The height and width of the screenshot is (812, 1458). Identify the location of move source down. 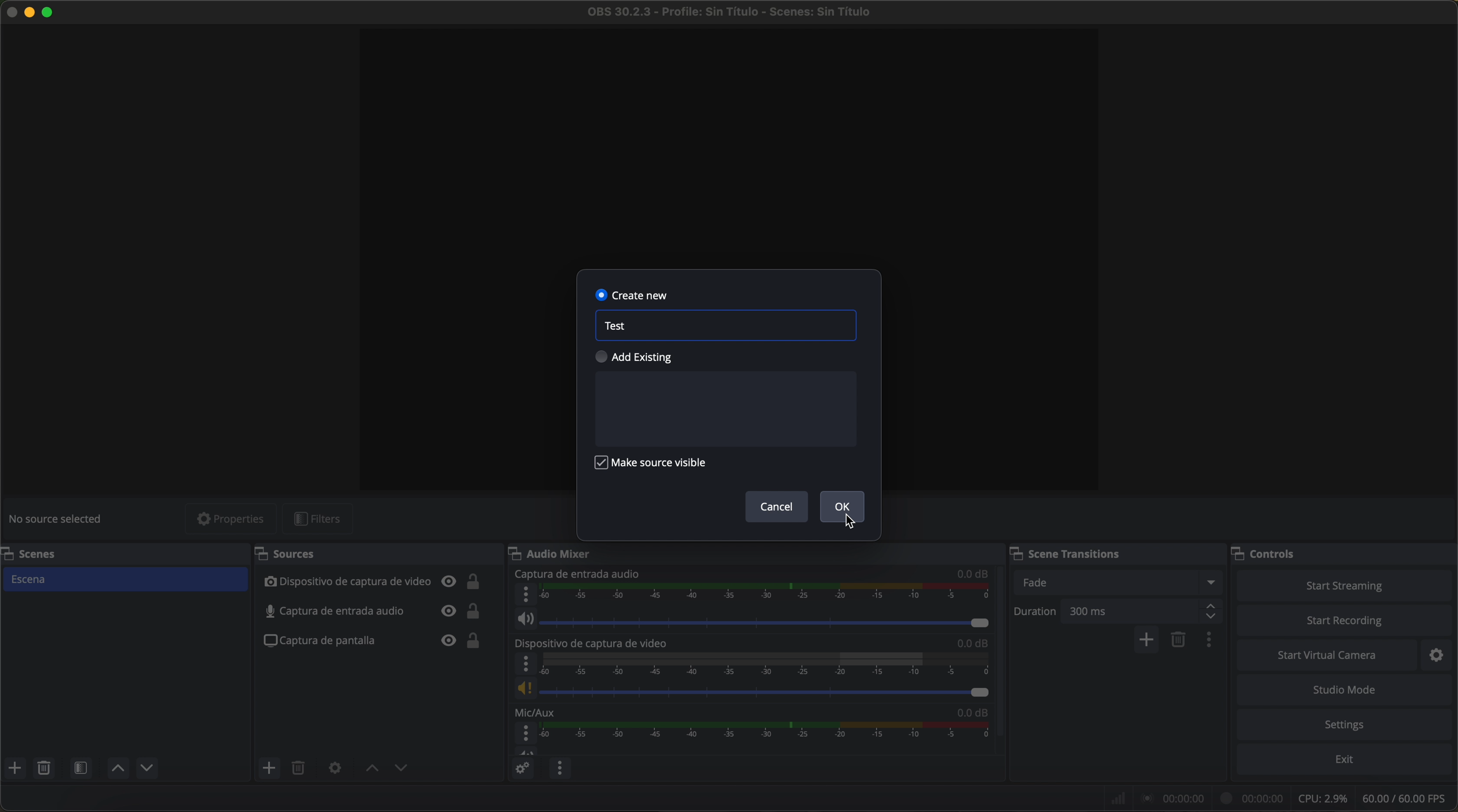
(398, 769).